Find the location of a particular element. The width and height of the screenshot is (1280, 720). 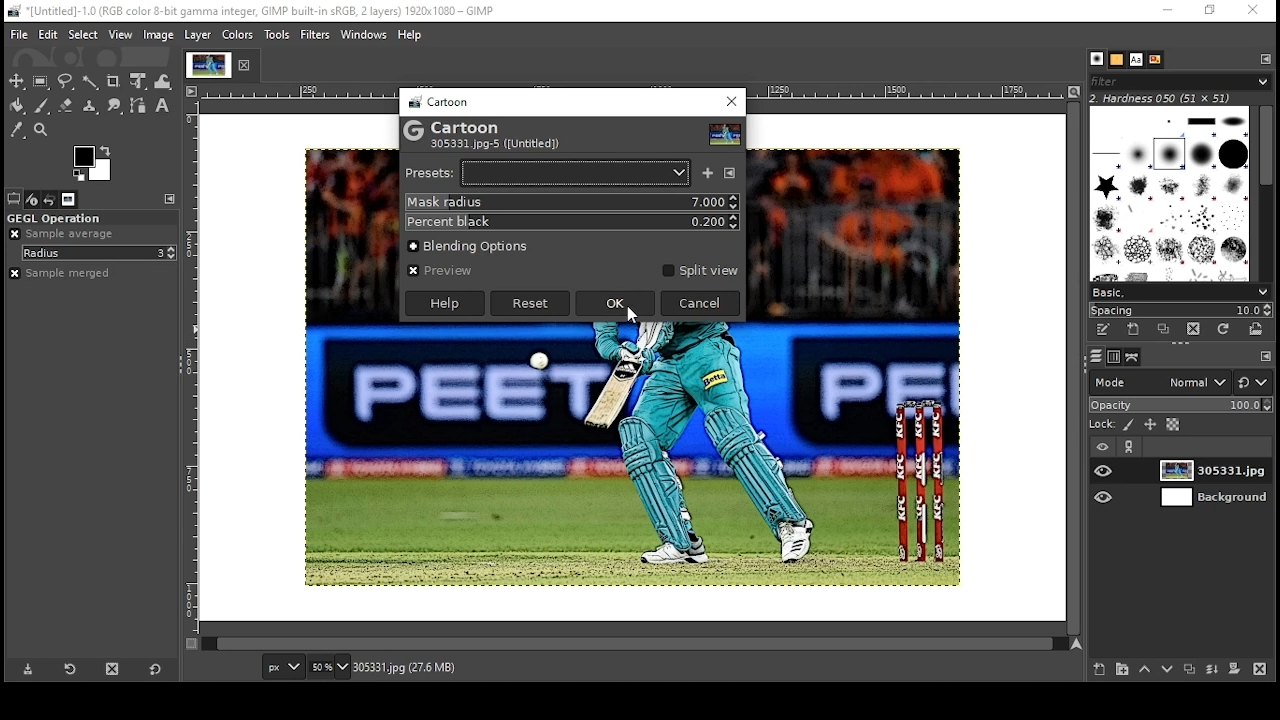

filters is located at coordinates (315, 35).